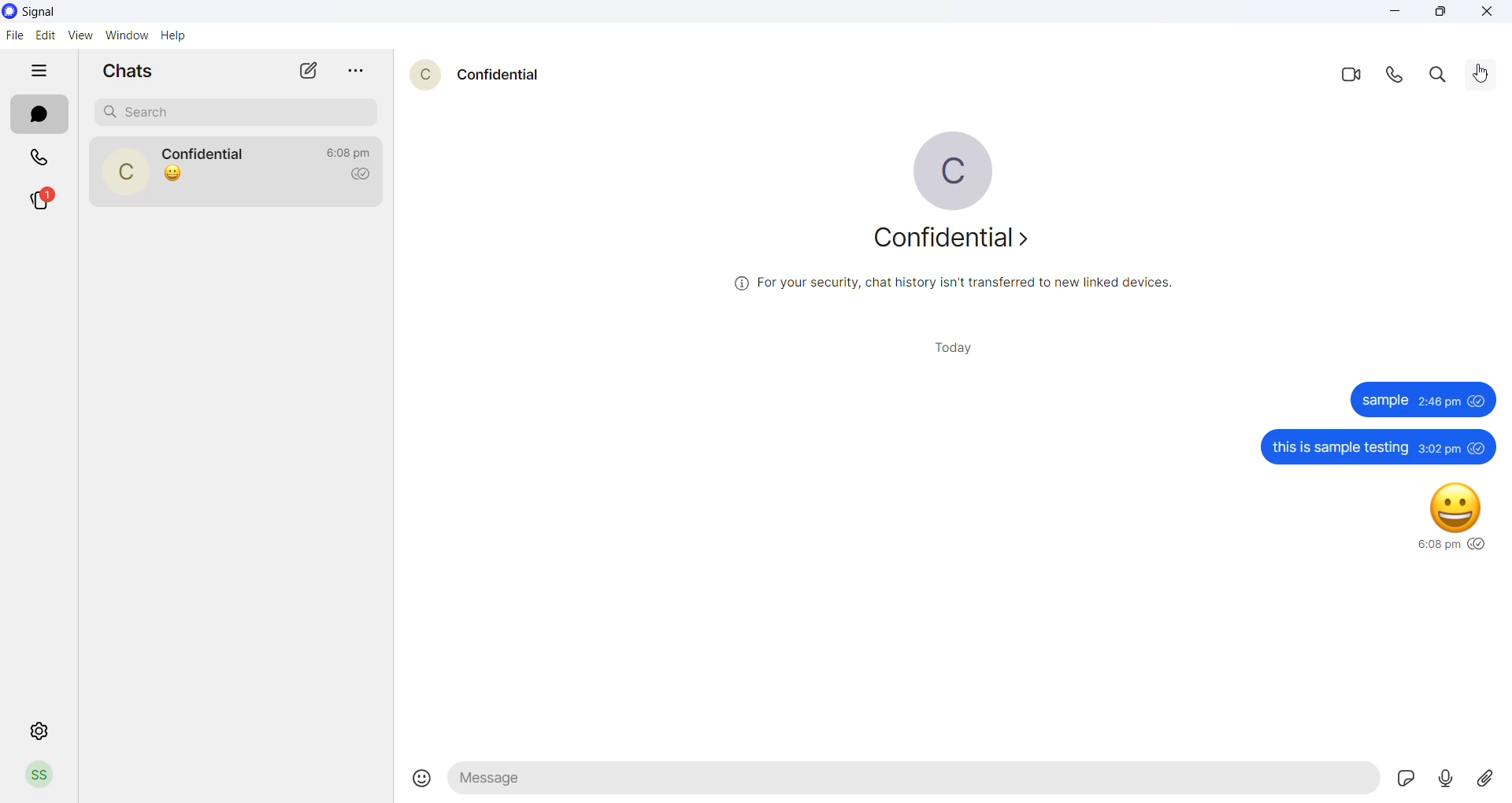  I want to click on about contact, so click(951, 240).